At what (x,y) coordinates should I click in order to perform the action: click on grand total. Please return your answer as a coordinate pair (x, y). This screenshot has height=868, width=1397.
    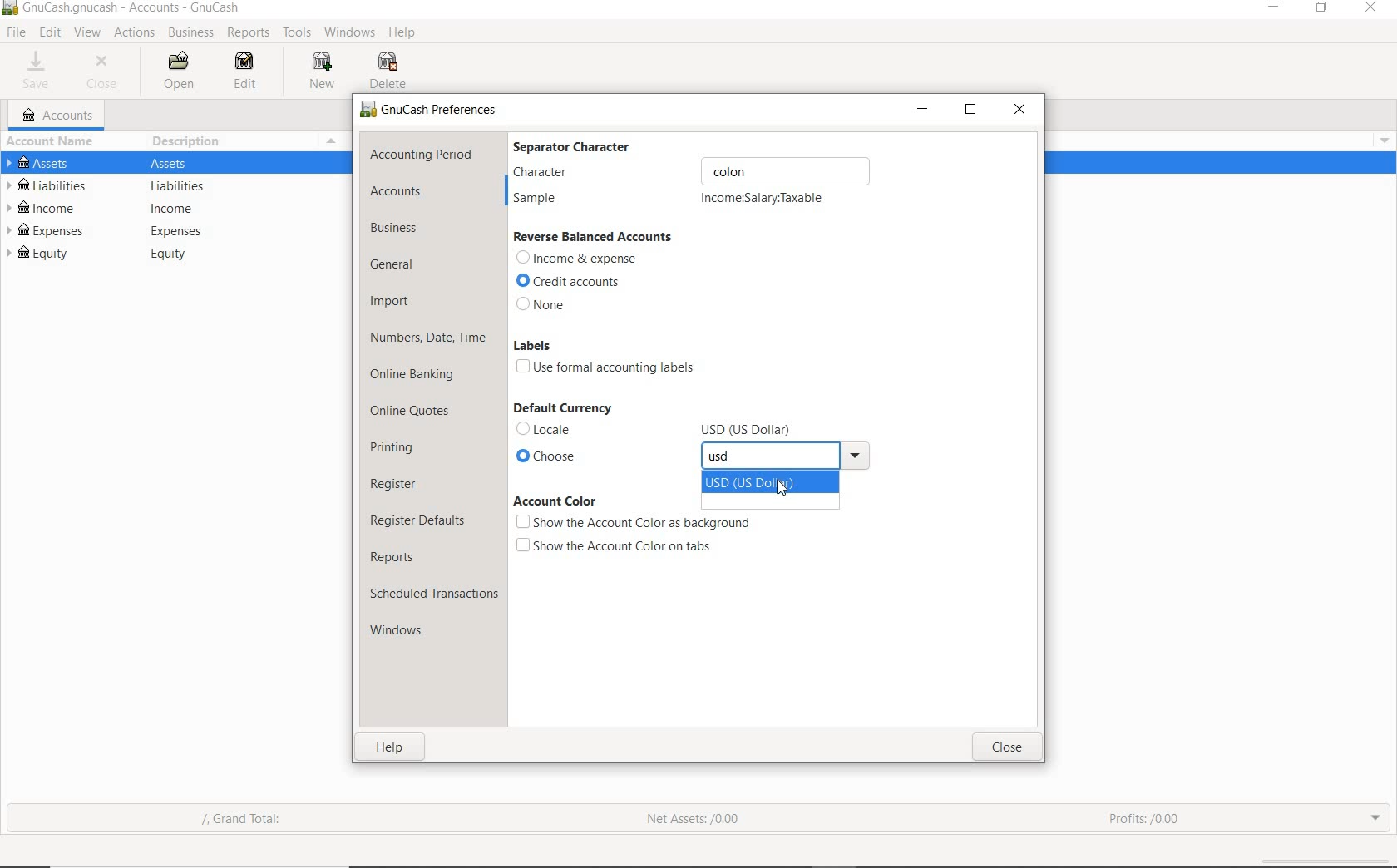
    Looking at the image, I should click on (253, 821).